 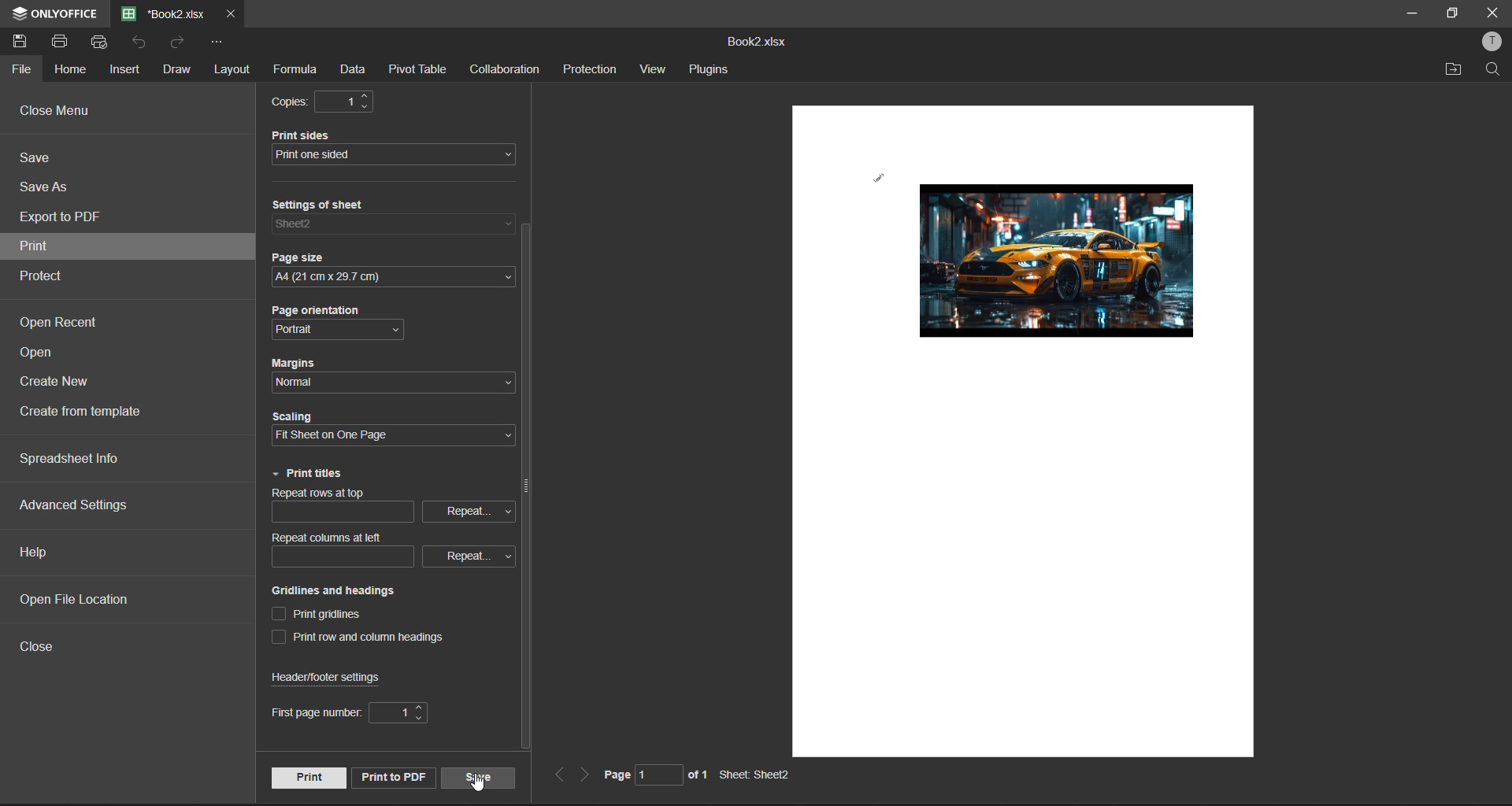 What do you see at coordinates (711, 70) in the screenshot?
I see `plugins` at bounding box center [711, 70].